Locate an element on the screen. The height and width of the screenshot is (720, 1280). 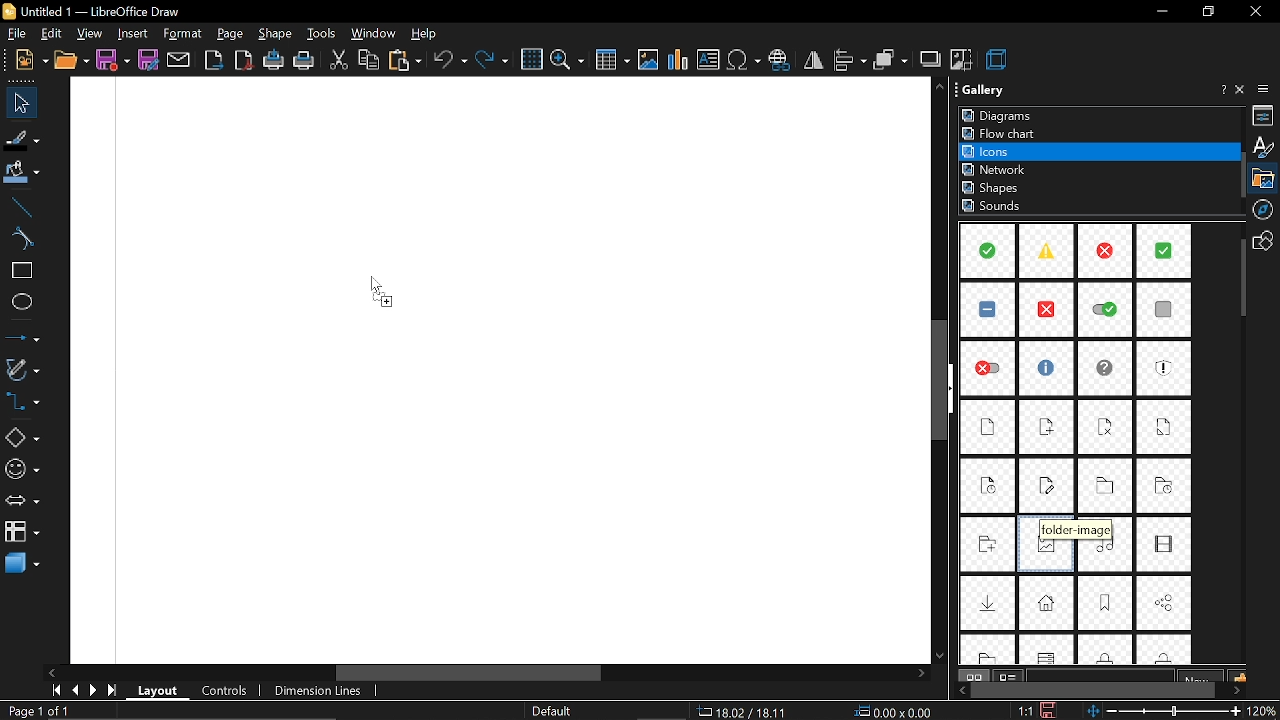
Cursor is located at coordinates (378, 297).